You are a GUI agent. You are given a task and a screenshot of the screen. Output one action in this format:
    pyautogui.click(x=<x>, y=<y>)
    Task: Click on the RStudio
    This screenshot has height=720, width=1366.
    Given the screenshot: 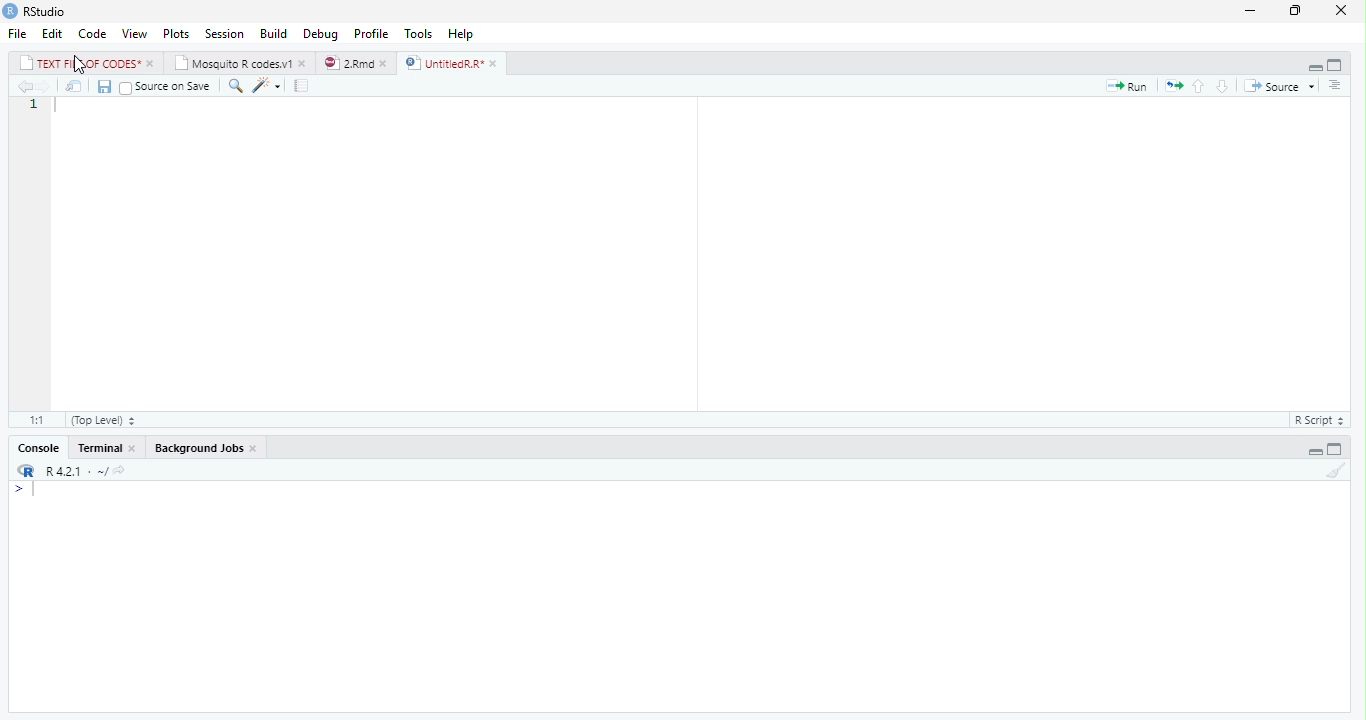 What is the action you would take?
    pyautogui.click(x=37, y=12)
    